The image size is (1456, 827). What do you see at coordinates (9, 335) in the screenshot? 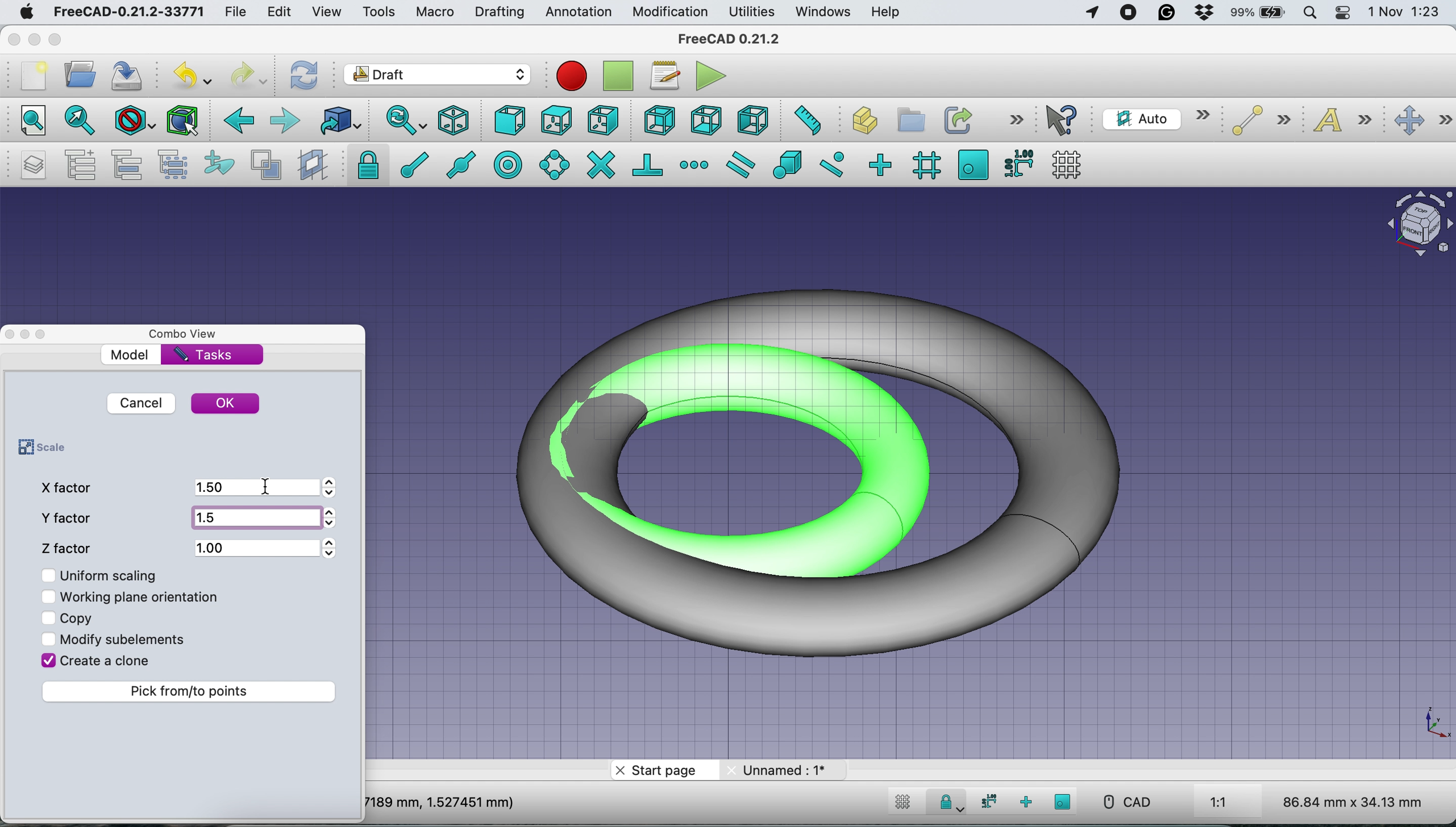
I see `close dock view` at bounding box center [9, 335].